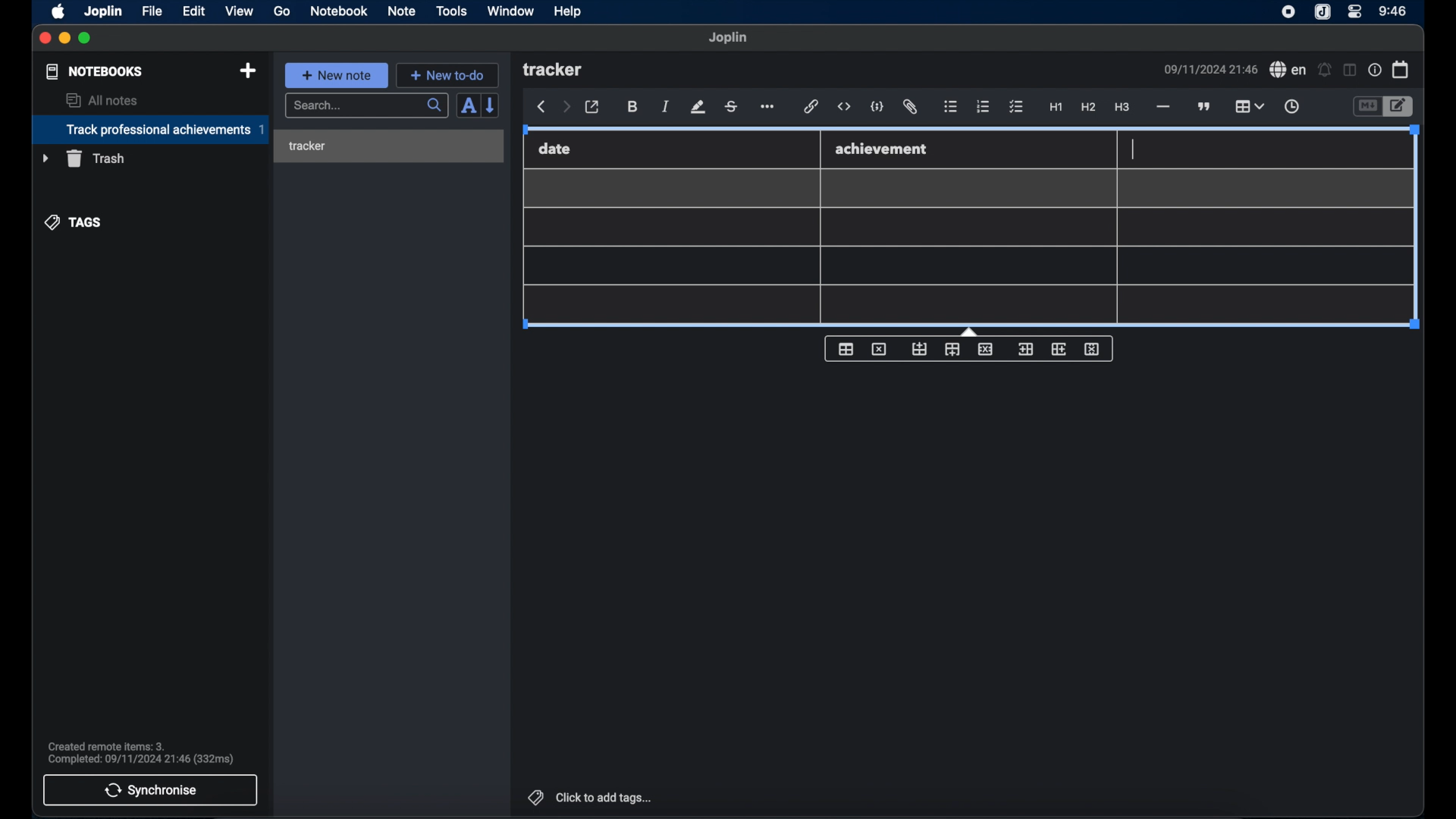 This screenshot has width=1456, height=819. I want to click on sync notification, so click(140, 753).